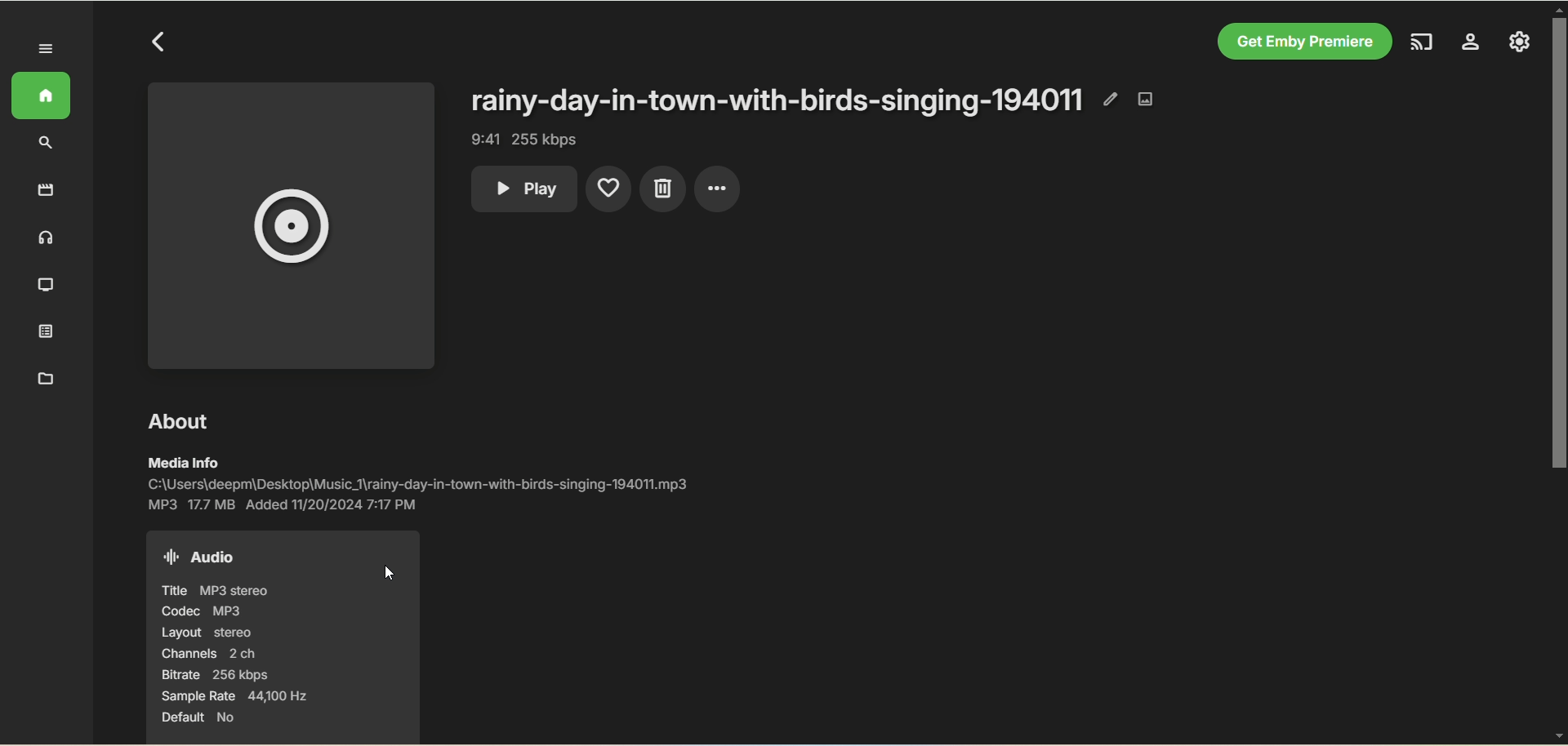 Image resolution: width=1568 pixels, height=746 pixels. I want to click on settings, so click(1521, 43).